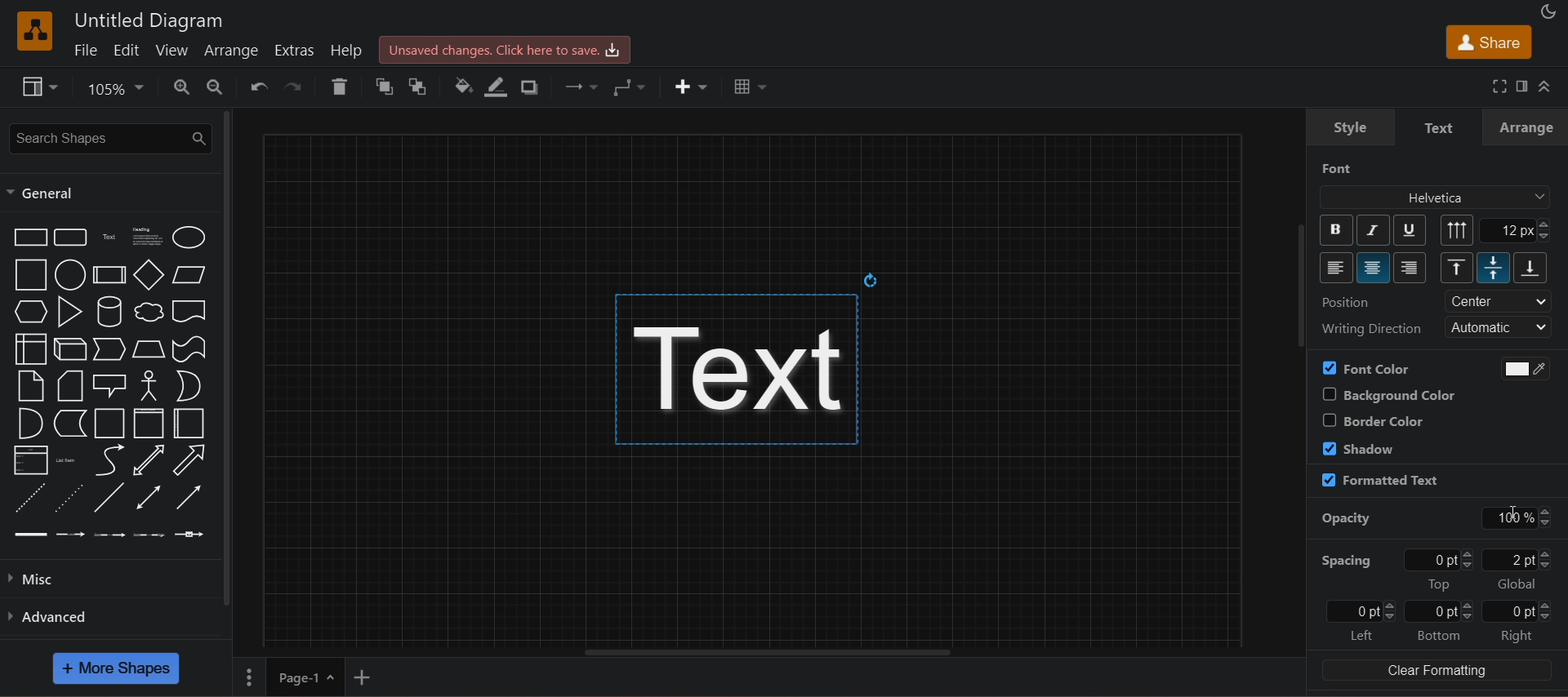  I want to click on text, so click(751, 355).